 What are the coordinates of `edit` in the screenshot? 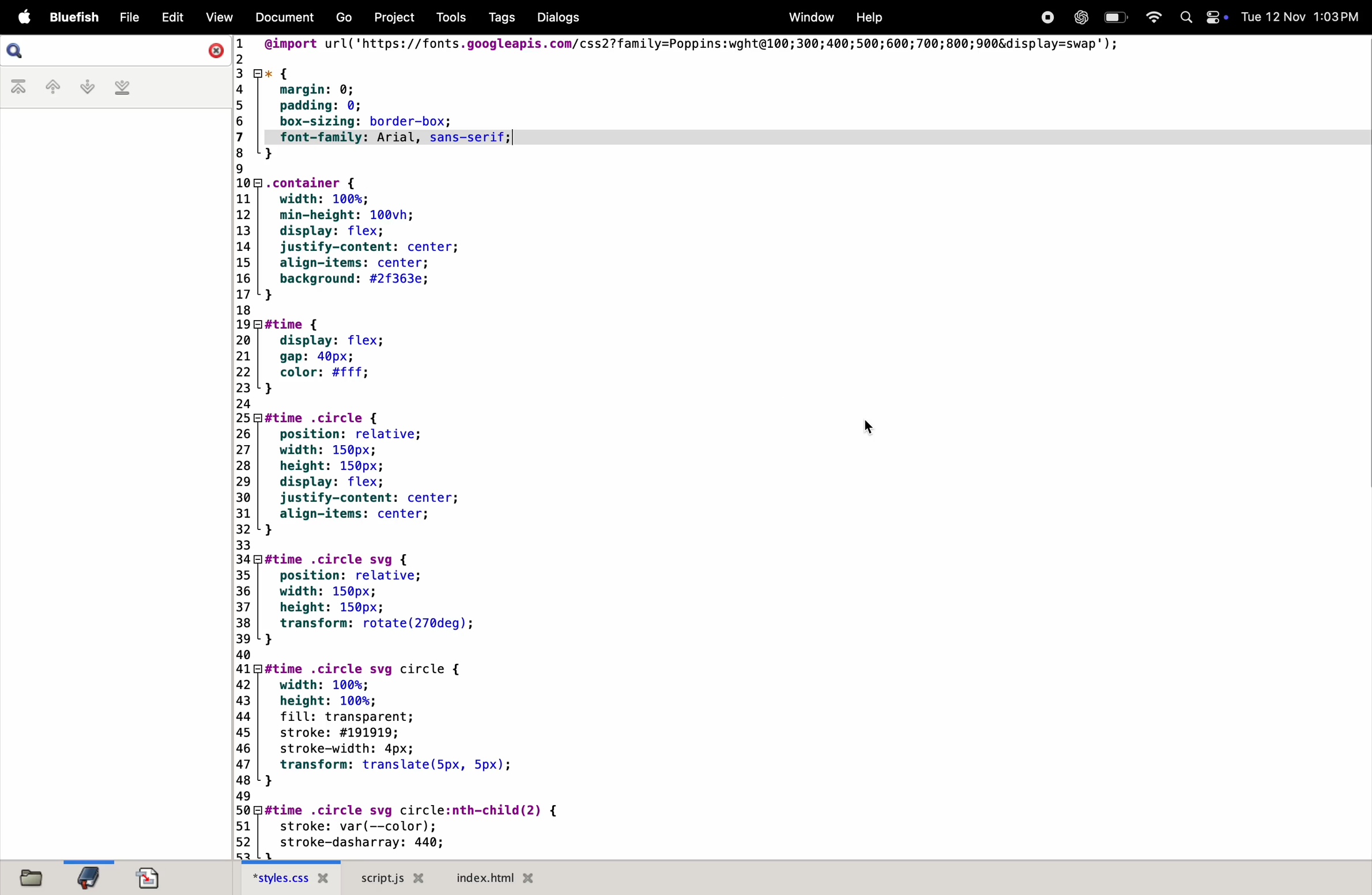 It's located at (168, 17).